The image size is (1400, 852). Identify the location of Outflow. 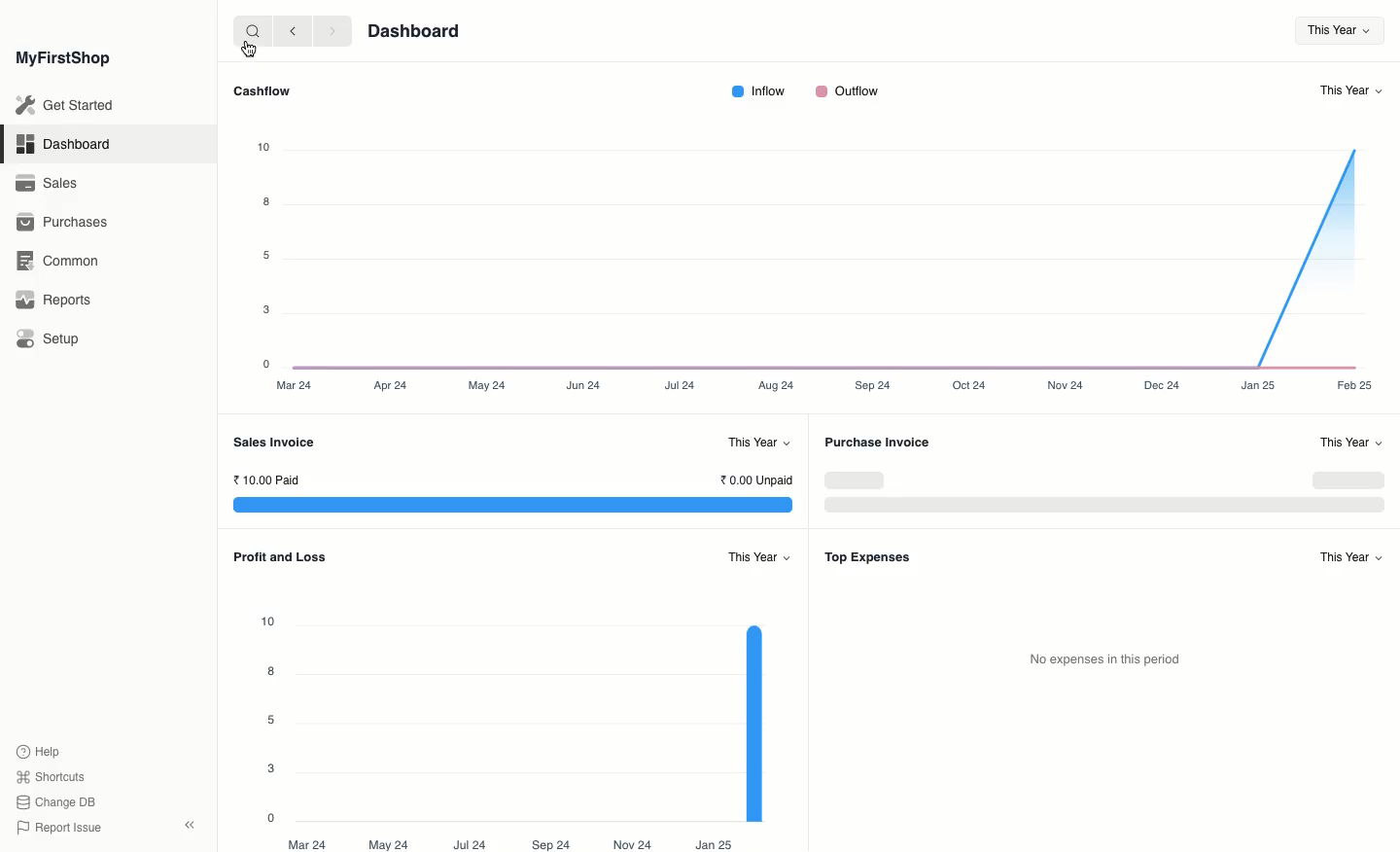
(850, 90).